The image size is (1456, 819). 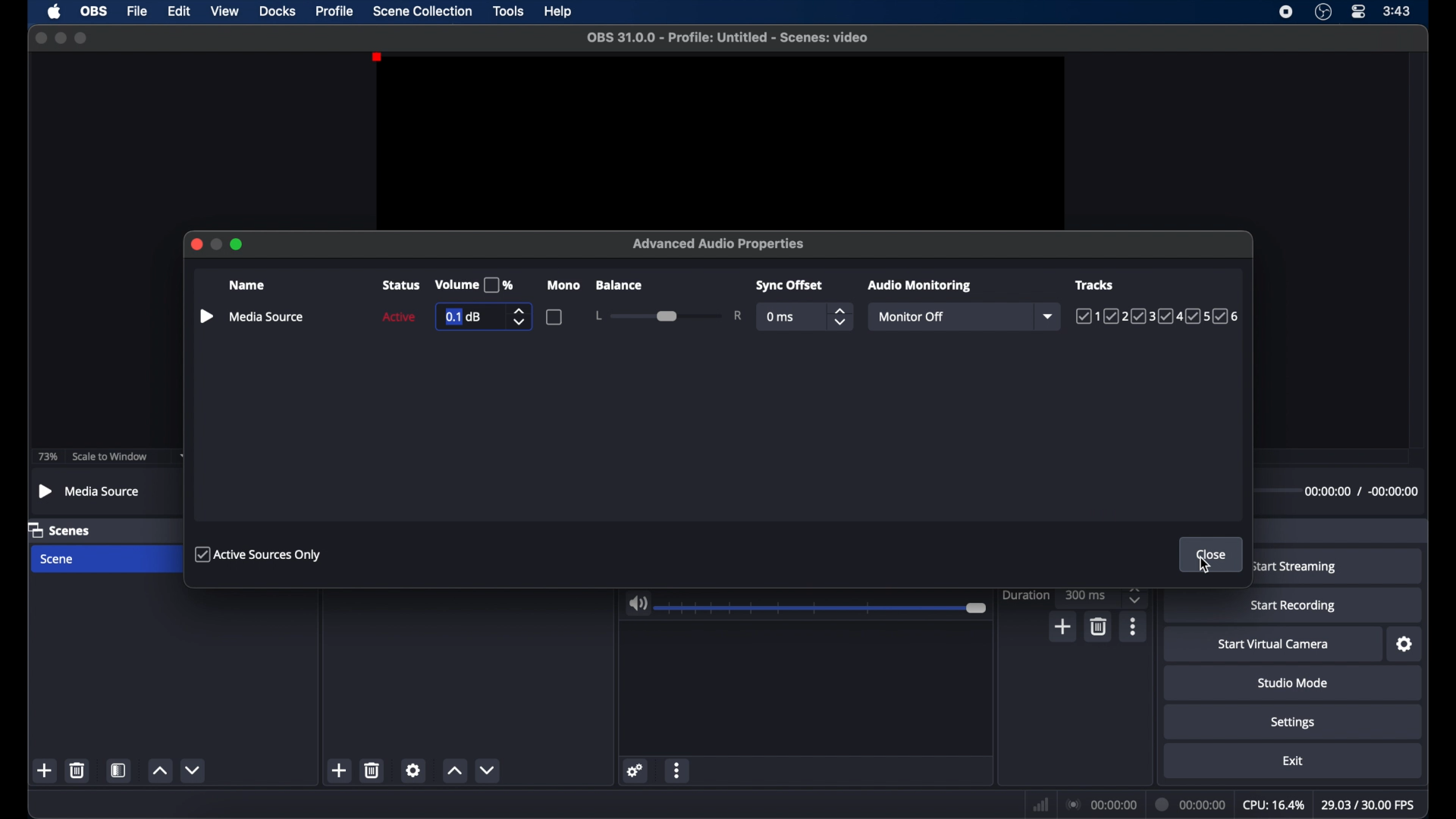 What do you see at coordinates (422, 11) in the screenshot?
I see `scene collection` at bounding box center [422, 11].